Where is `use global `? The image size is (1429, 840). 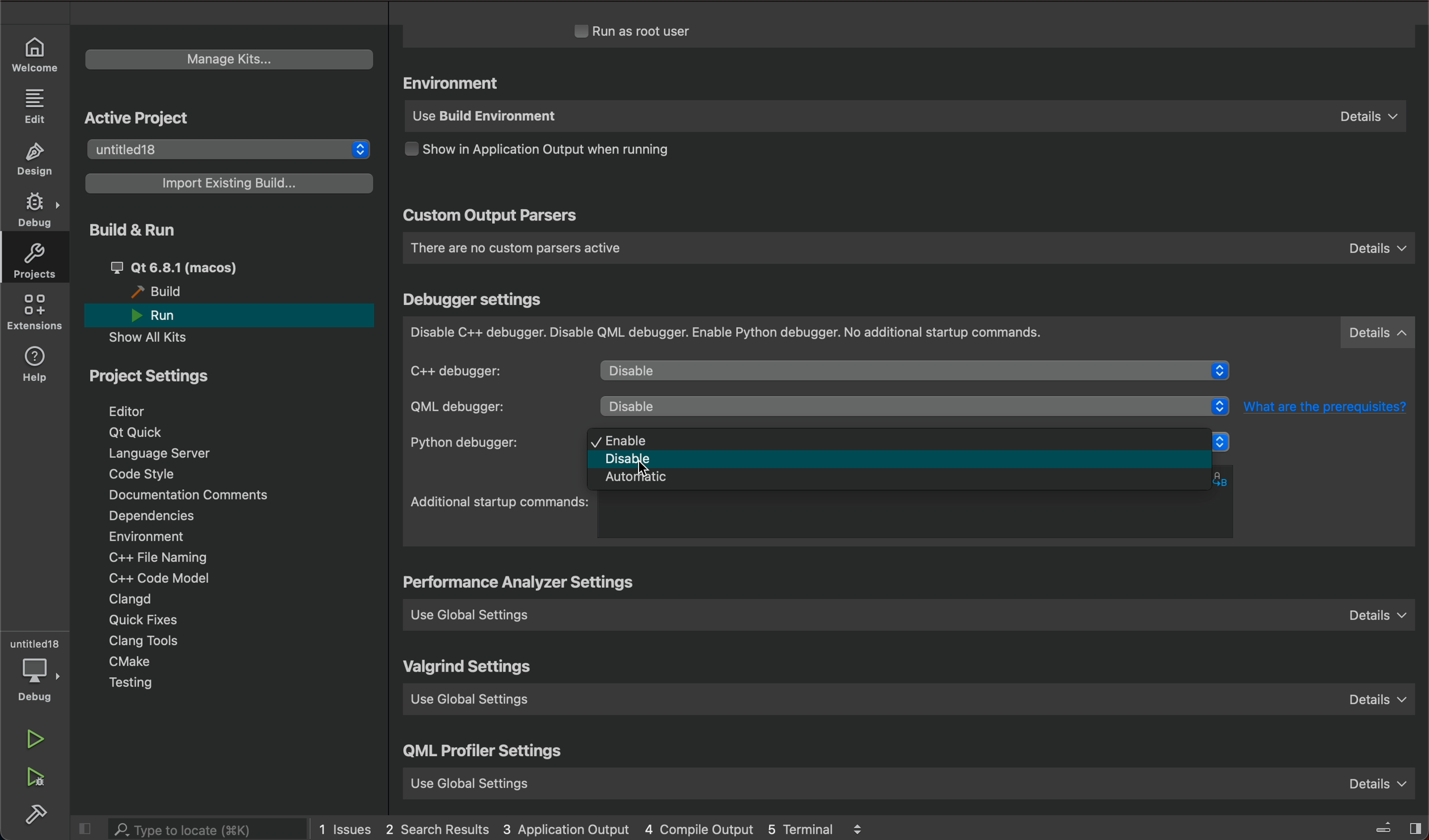
use global  is located at coordinates (907, 780).